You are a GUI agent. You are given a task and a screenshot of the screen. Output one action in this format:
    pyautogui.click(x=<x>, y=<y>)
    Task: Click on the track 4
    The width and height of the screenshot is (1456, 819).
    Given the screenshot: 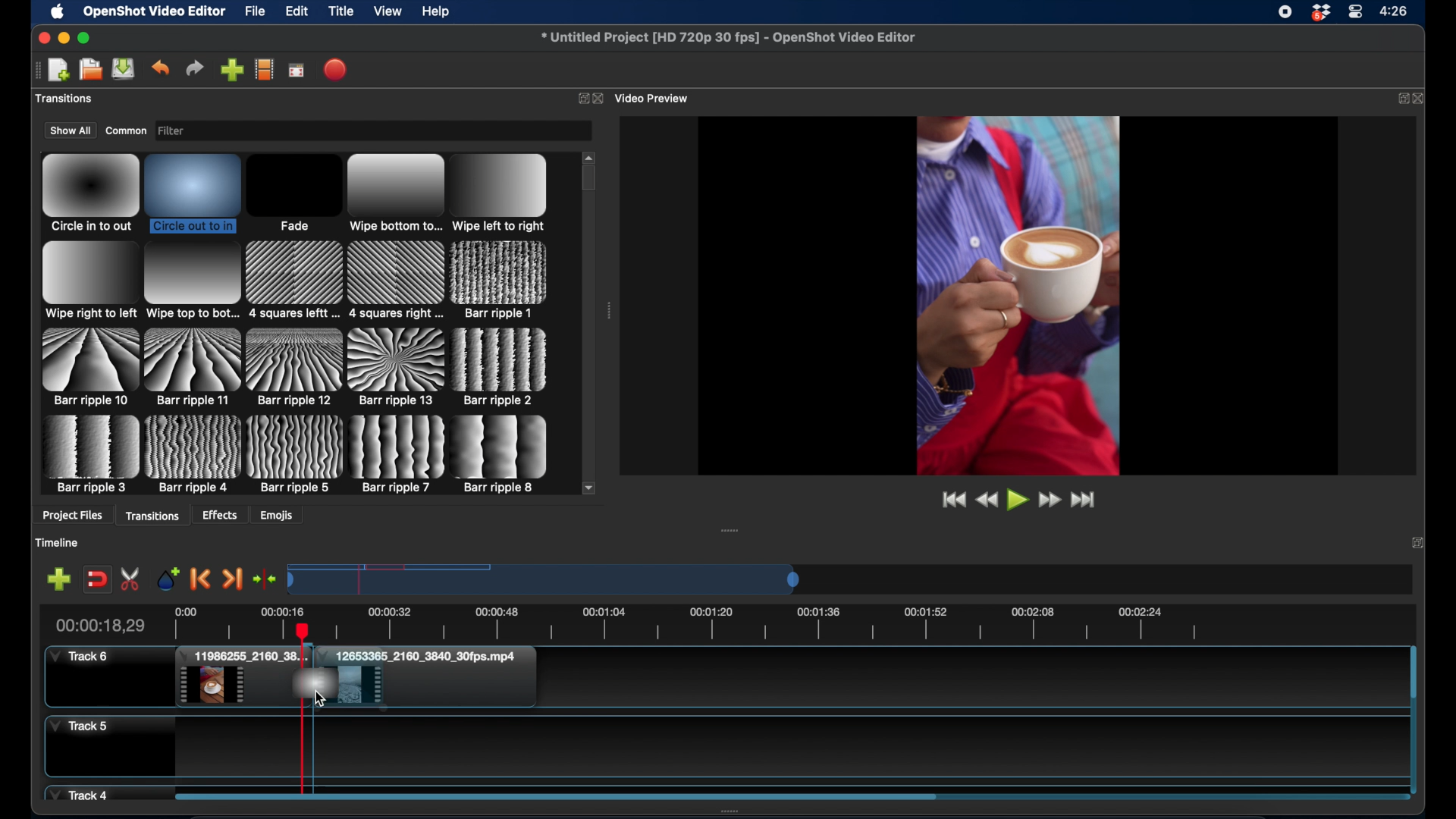 What is the action you would take?
    pyautogui.click(x=81, y=793)
    